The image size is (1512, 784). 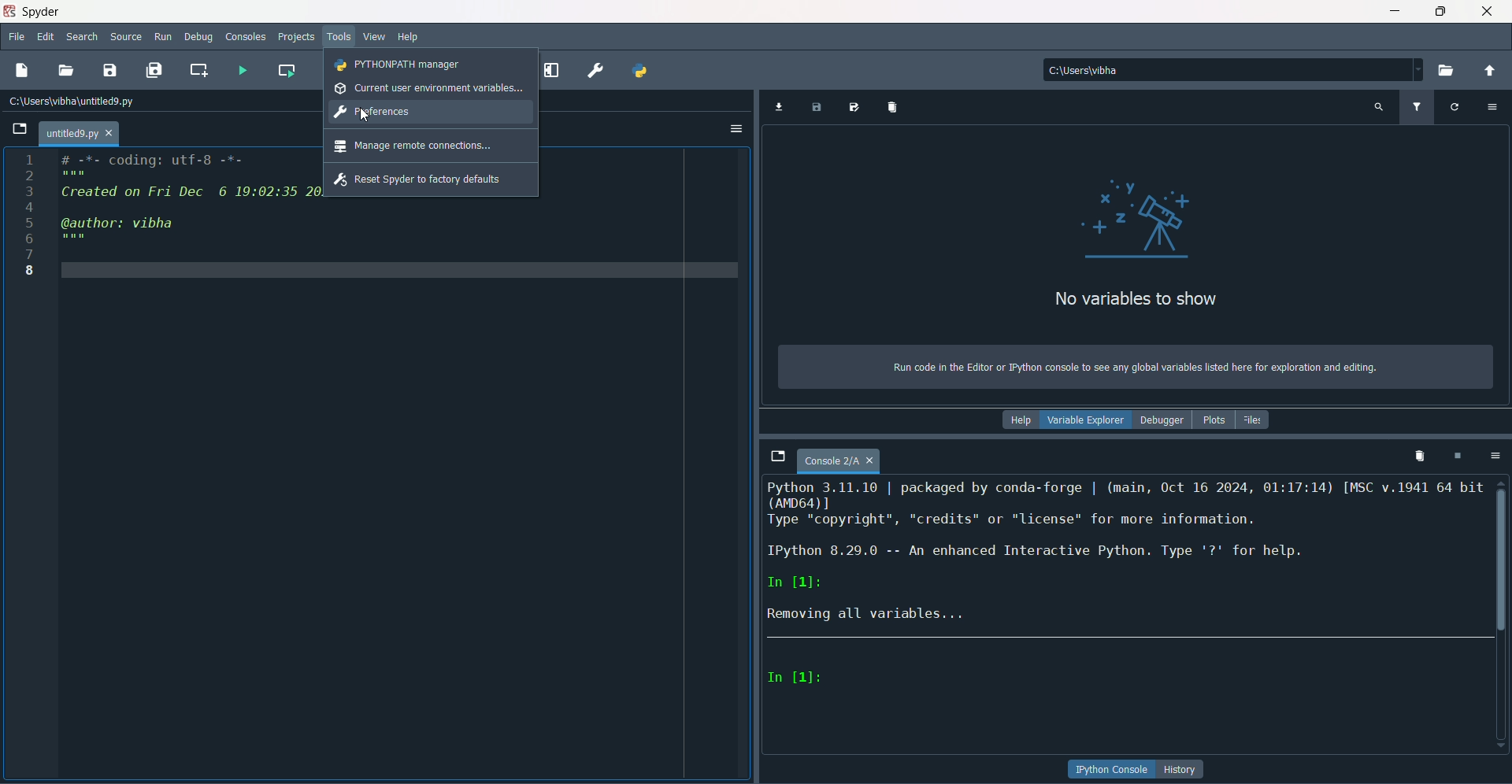 I want to click on file path, so click(x=1112, y=69).